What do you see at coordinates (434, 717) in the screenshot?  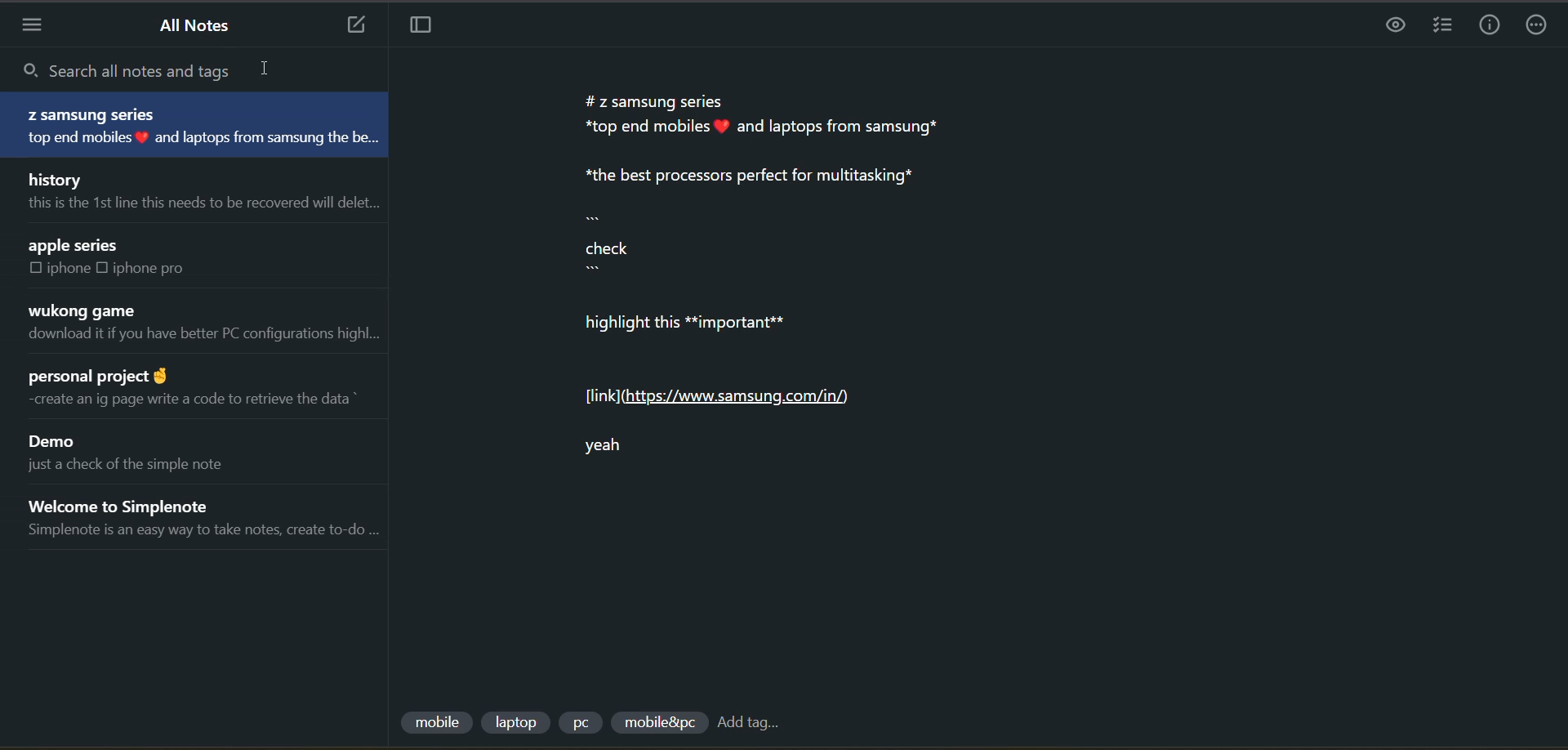 I see `mobile` at bounding box center [434, 717].